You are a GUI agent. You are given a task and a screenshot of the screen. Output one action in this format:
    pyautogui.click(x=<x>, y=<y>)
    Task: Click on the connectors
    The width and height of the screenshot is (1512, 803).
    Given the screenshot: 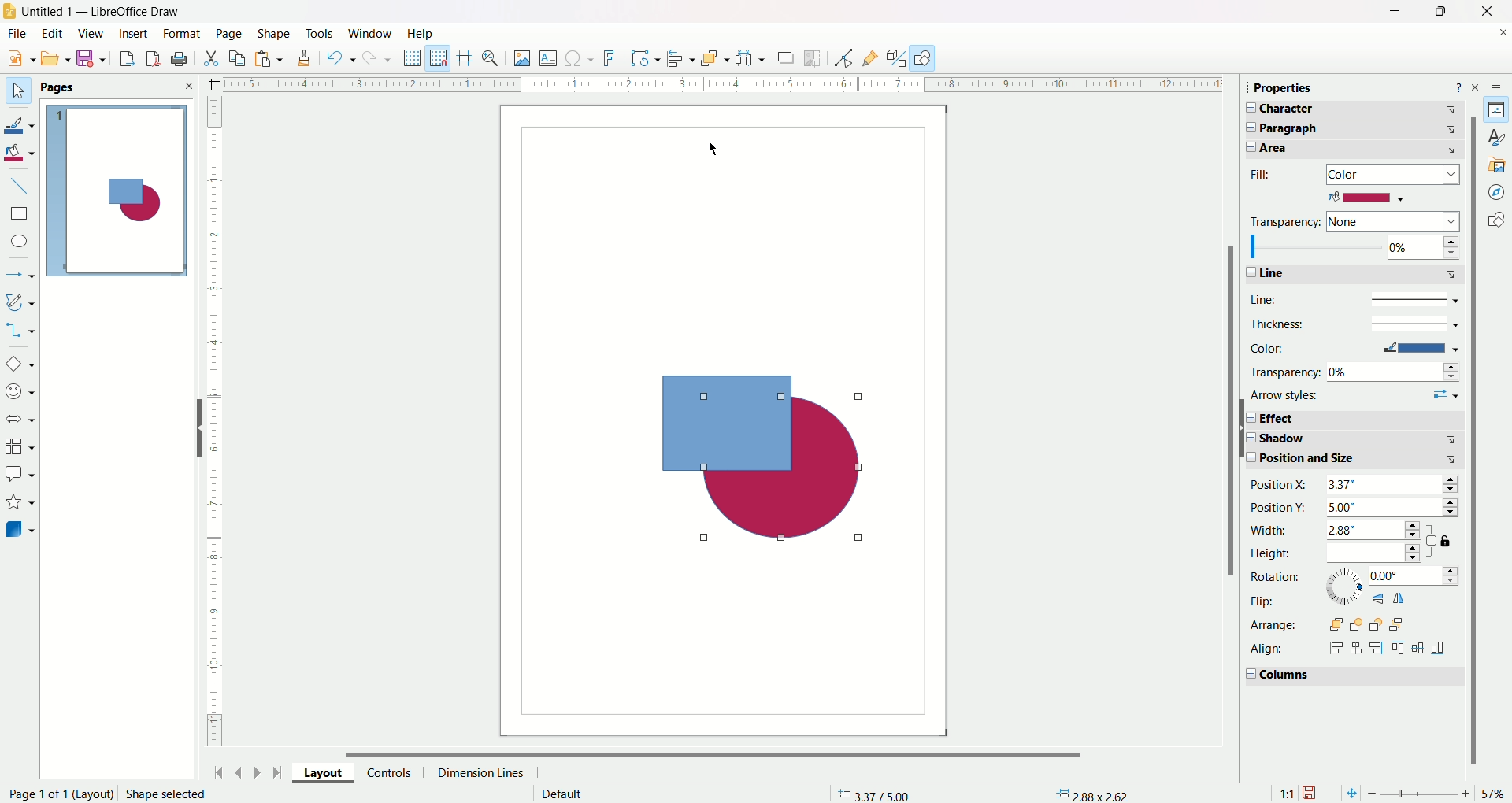 What is the action you would take?
    pyautogui.click(x=21, y=330)
    